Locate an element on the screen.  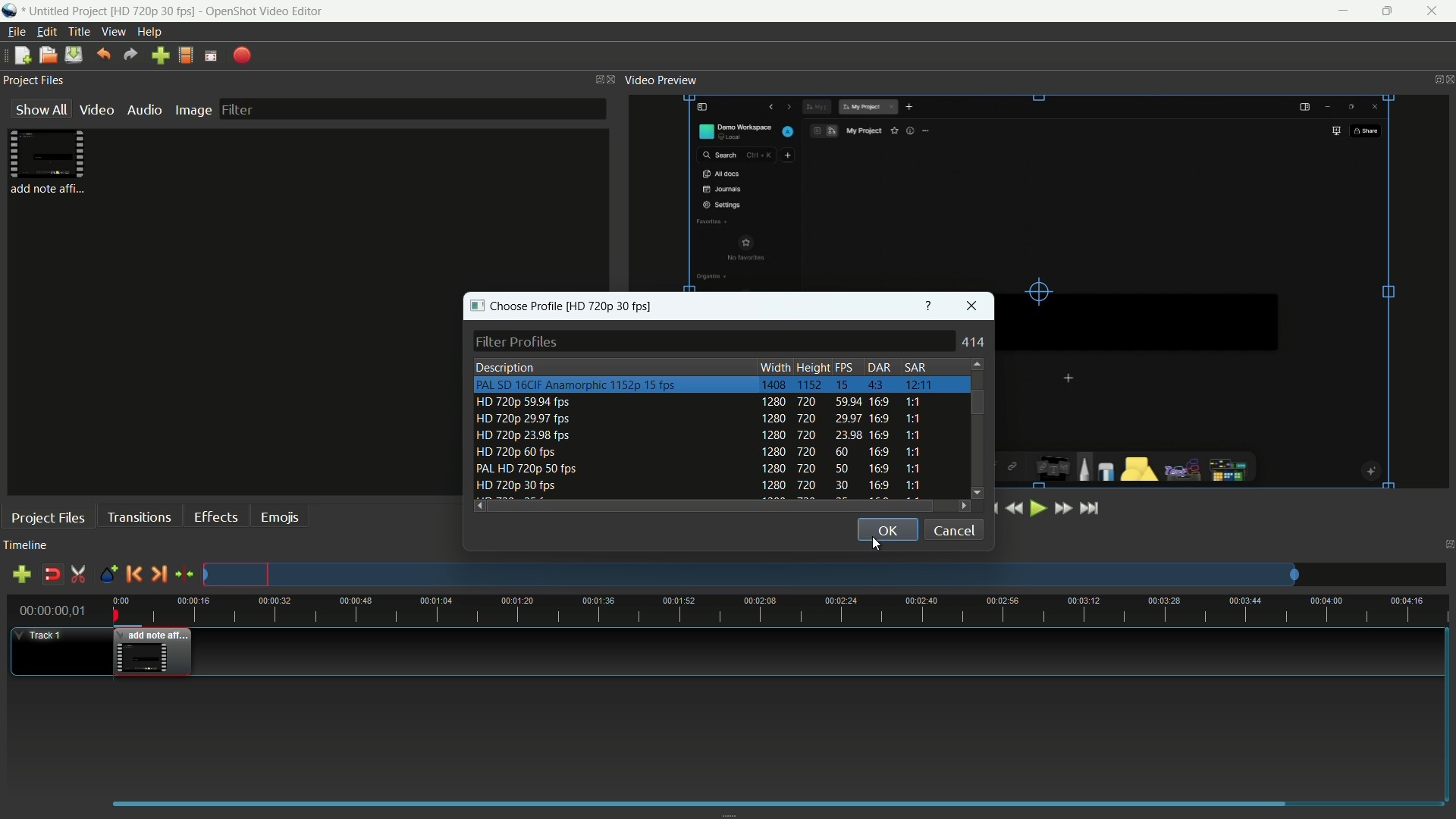
profile-2 is located at coordinates (704, 403).